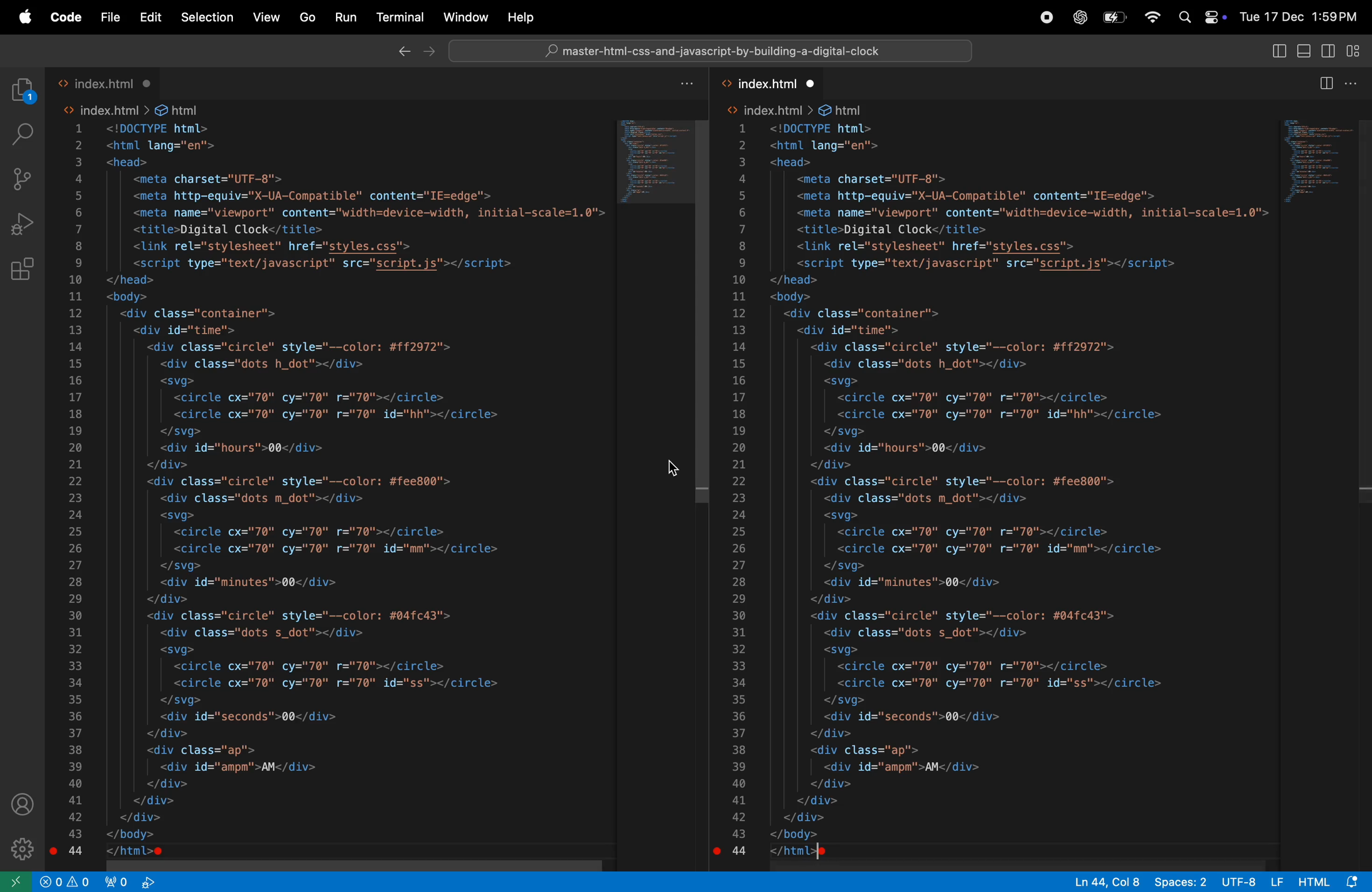 The width and height of the screenshot is (1372, 892). Describe the element at coordinates (22, 133) in the screenshot. I see `search` at that location.